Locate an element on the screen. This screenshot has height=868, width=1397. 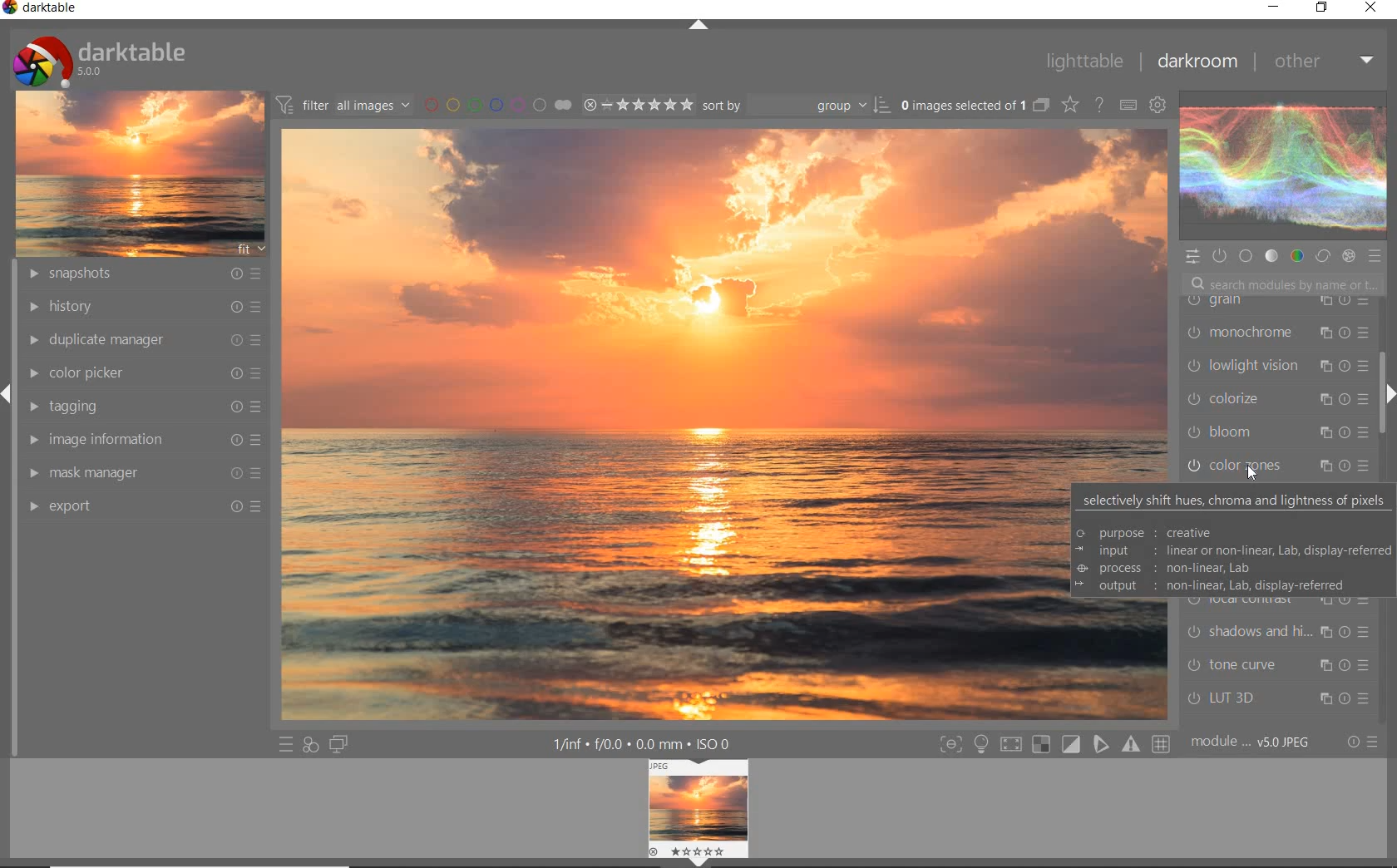
RESET OR PRESET &PREFERENCE is located at coordinates (1363, 742).